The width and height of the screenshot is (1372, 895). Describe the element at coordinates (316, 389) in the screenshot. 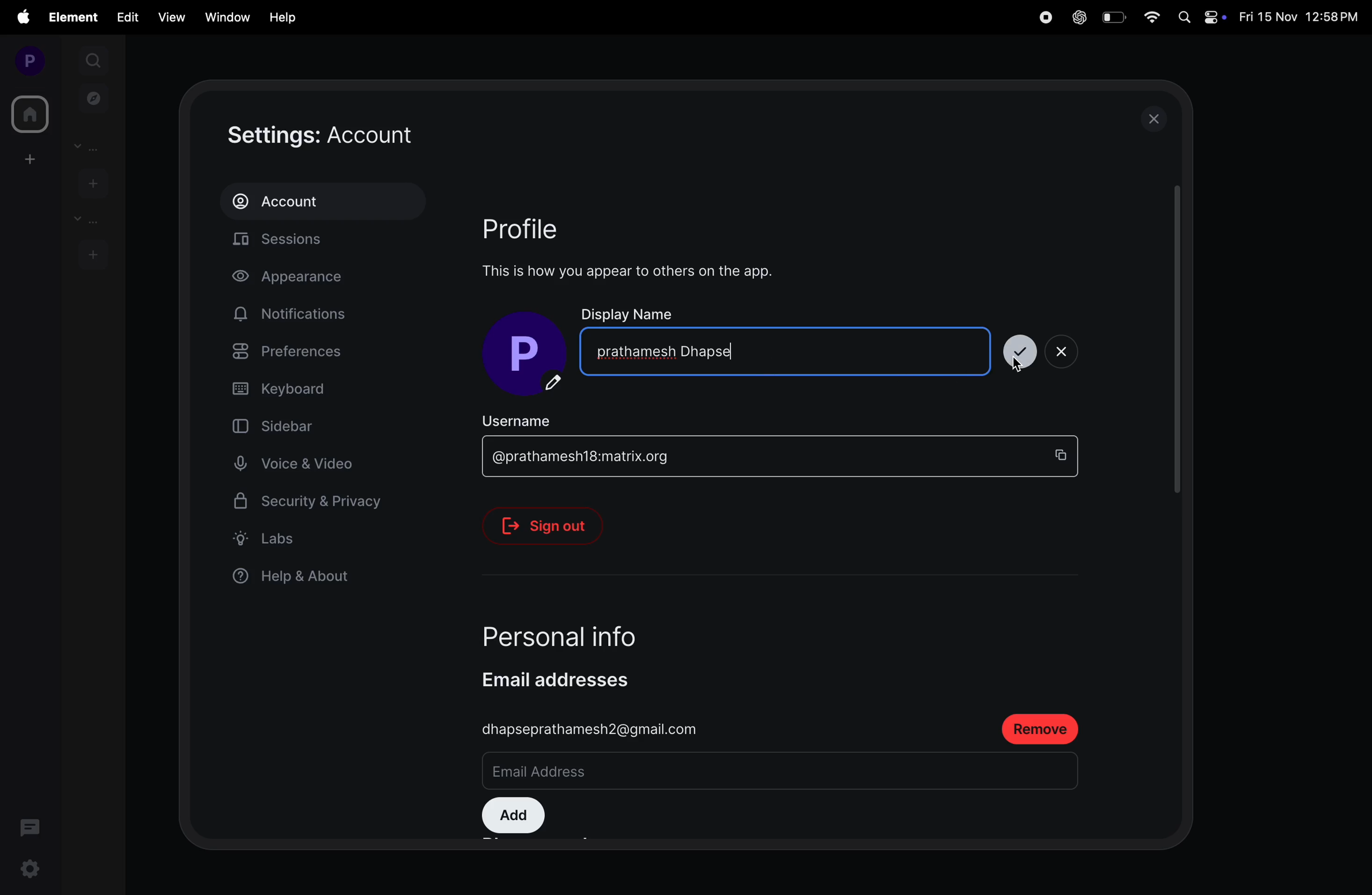

I see `keyboard` at that location.